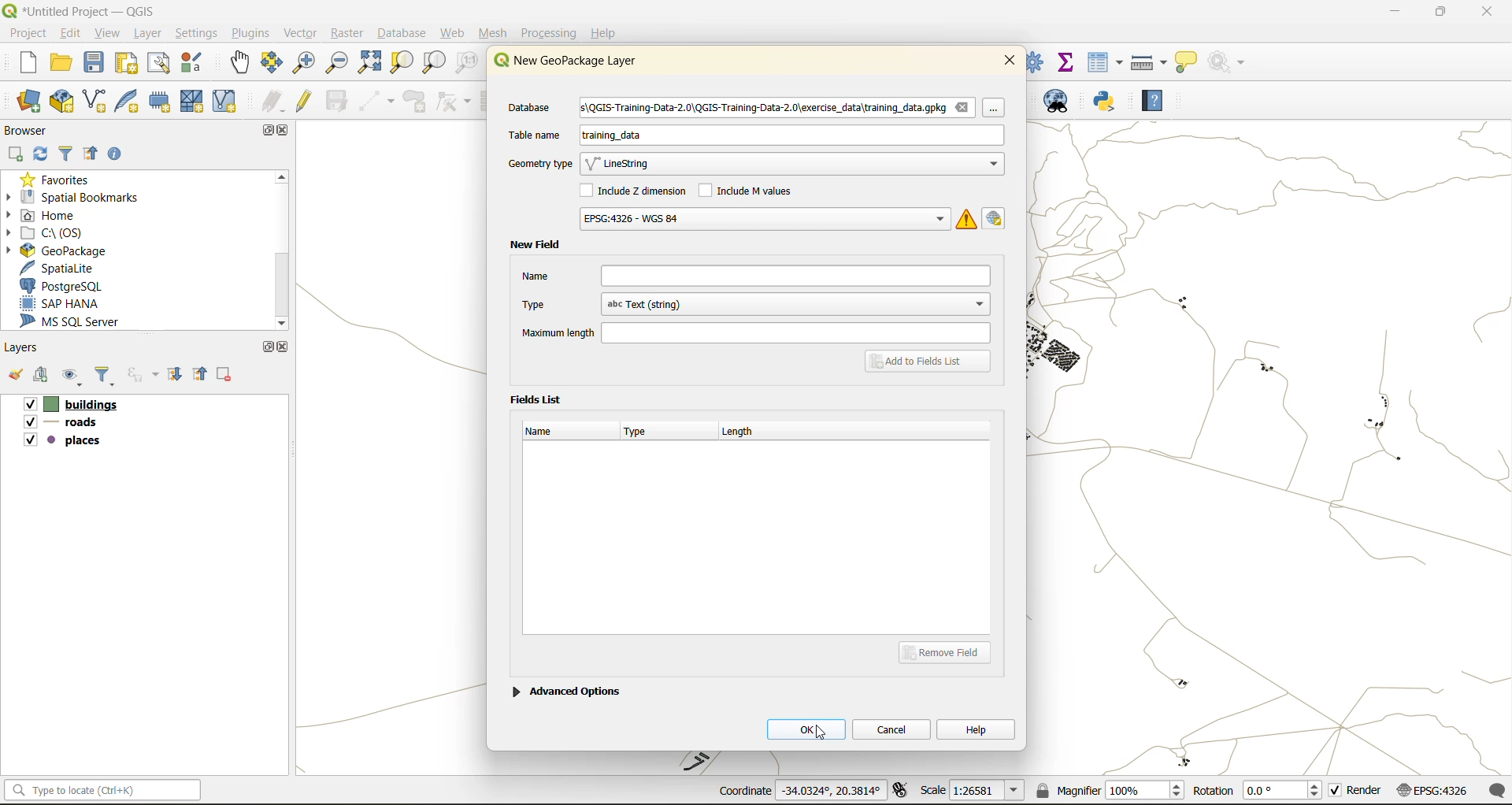 The width and height of the screenshot is (1512, 805). Describe the element at coordinates (25, 348) in the screenshot. I see `layers` at that location.